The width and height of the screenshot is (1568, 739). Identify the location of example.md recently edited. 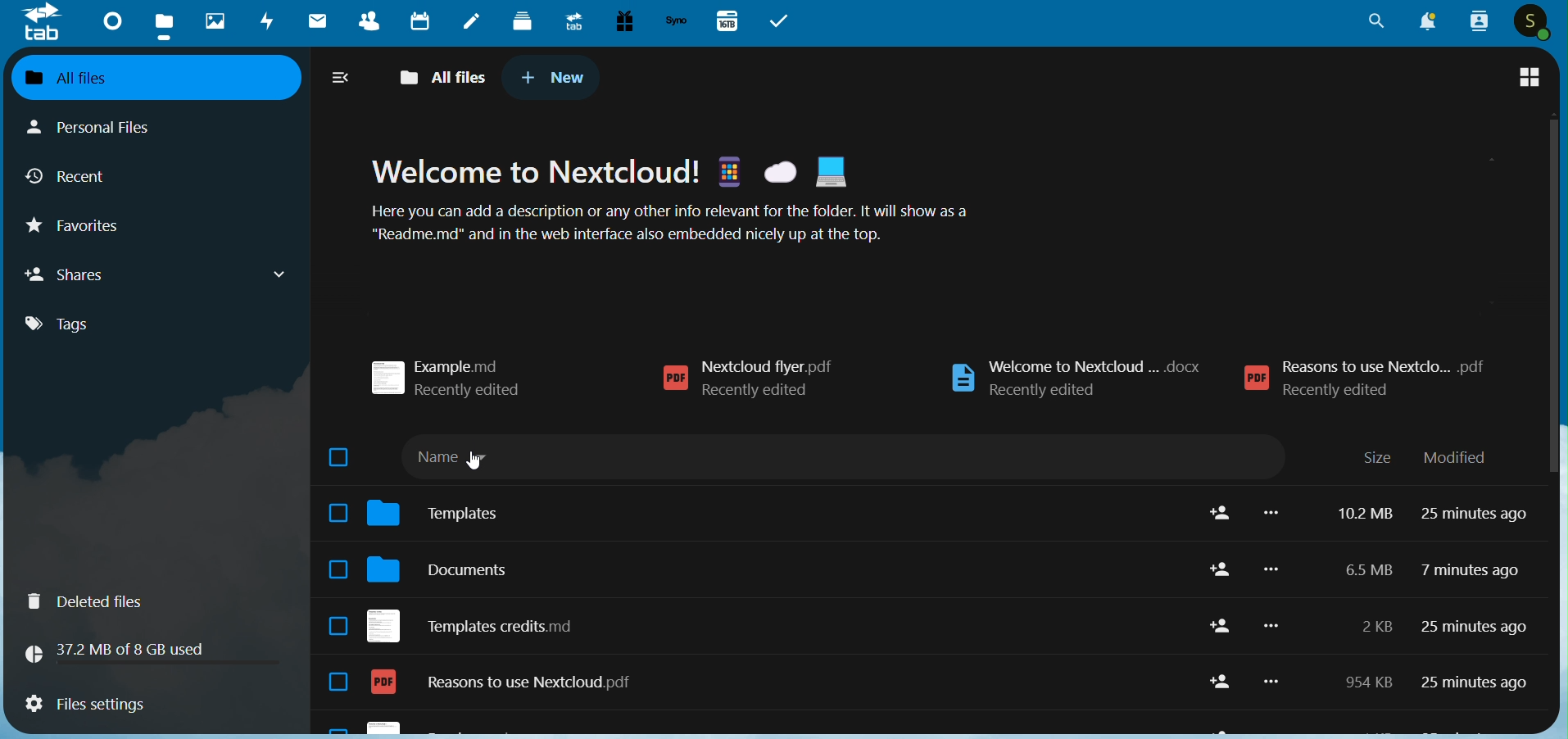
(451, 376).